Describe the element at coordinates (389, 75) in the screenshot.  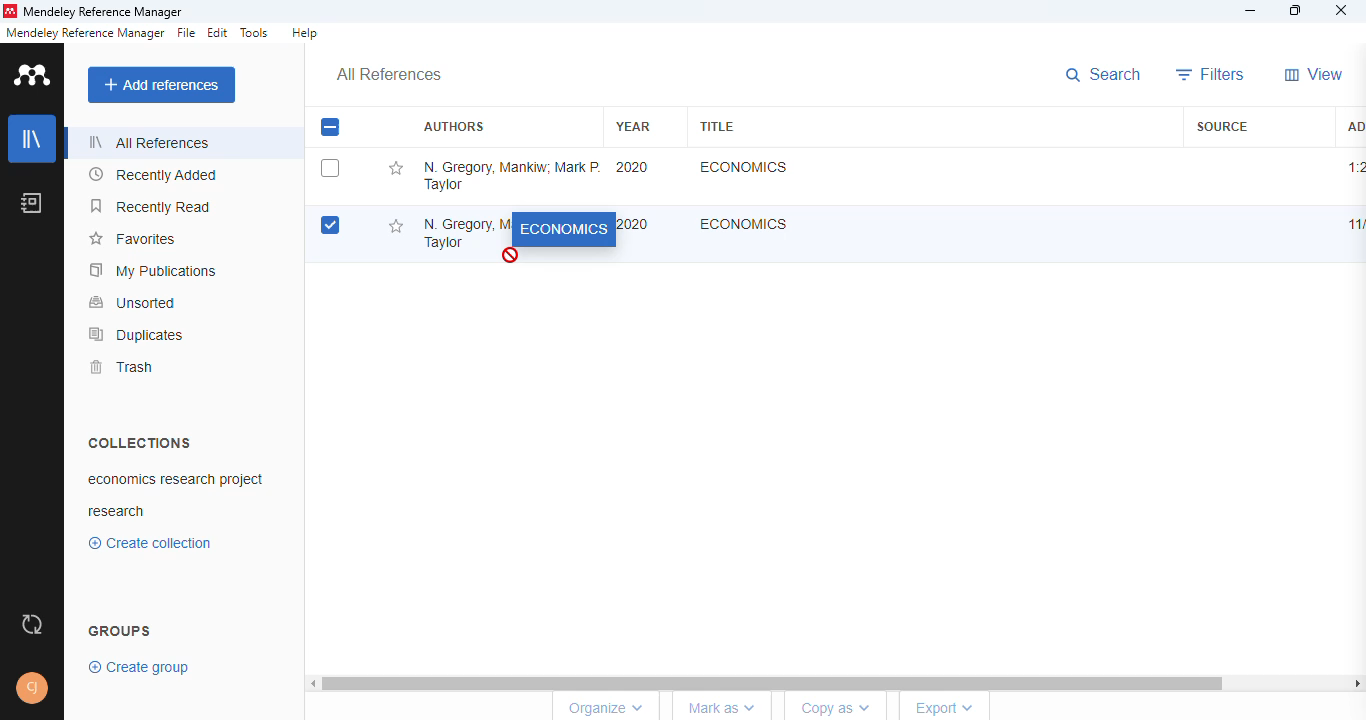
I see `all references` at that location.